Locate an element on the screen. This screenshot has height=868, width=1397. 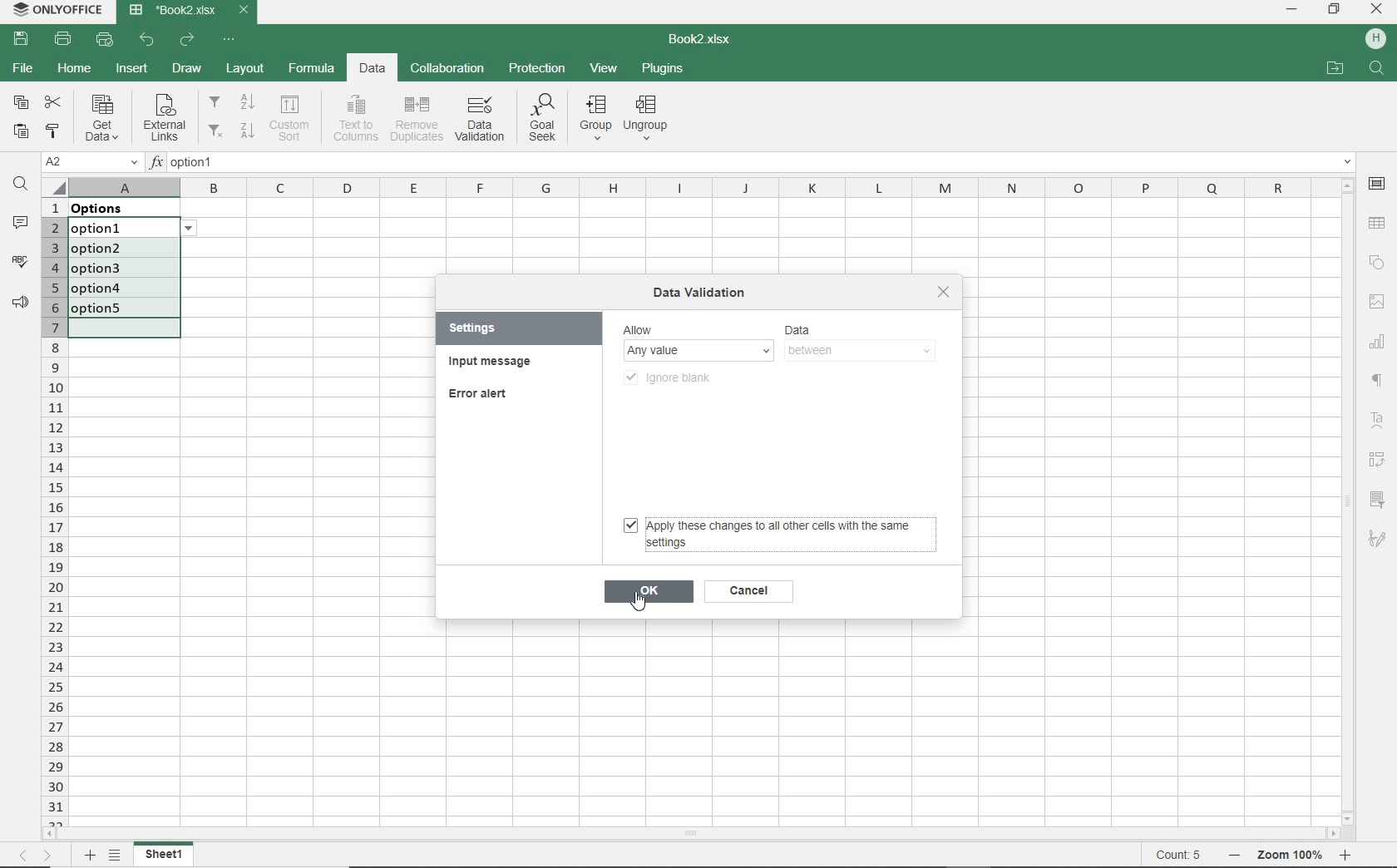
VIEW is located at coordinates (604, 68).